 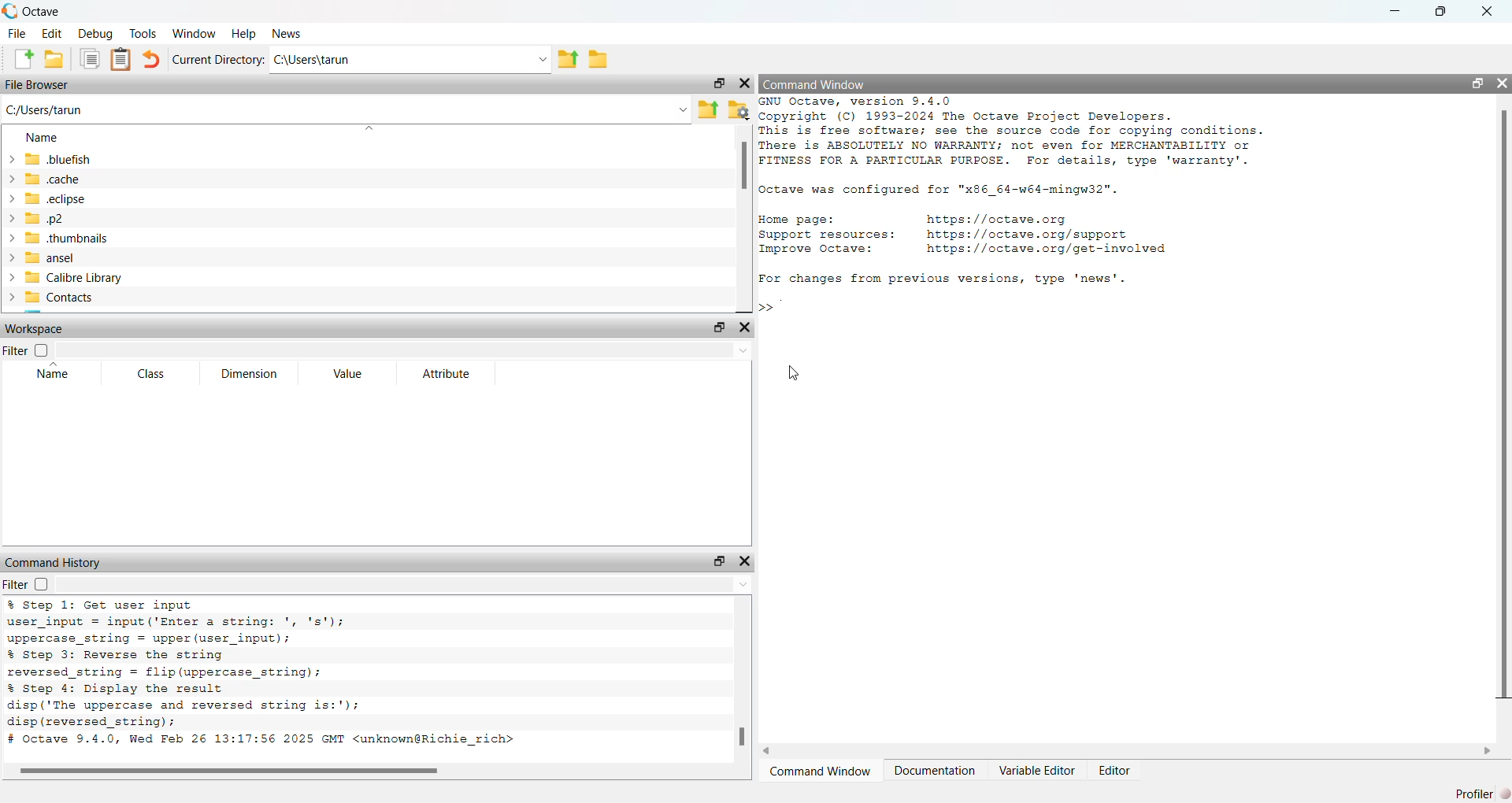 What do you see at coordinates (602, 60) in the screenshot?
I see `browse directories` at bounding box center [602, 60].